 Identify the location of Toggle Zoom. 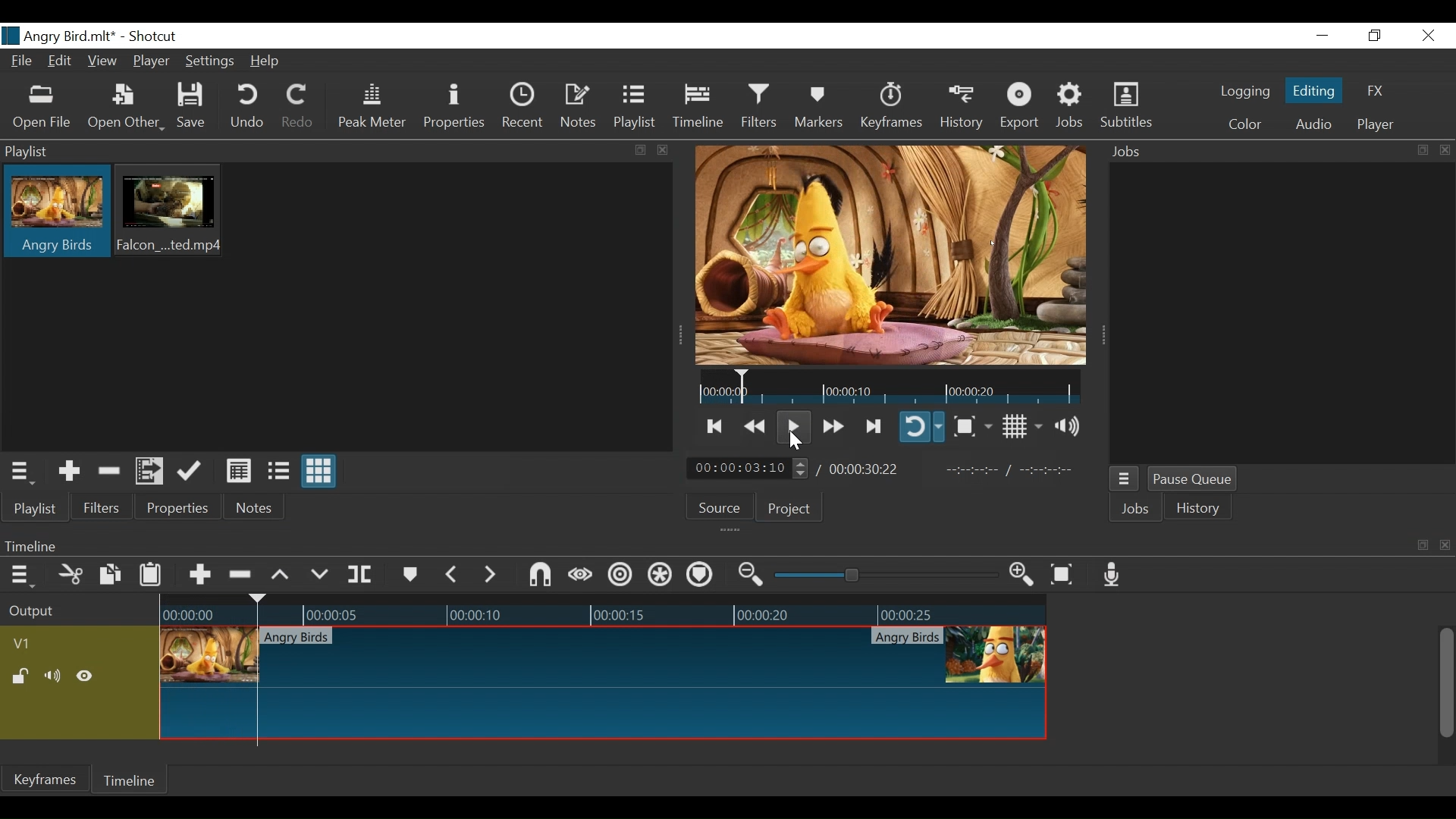
(972, 426).